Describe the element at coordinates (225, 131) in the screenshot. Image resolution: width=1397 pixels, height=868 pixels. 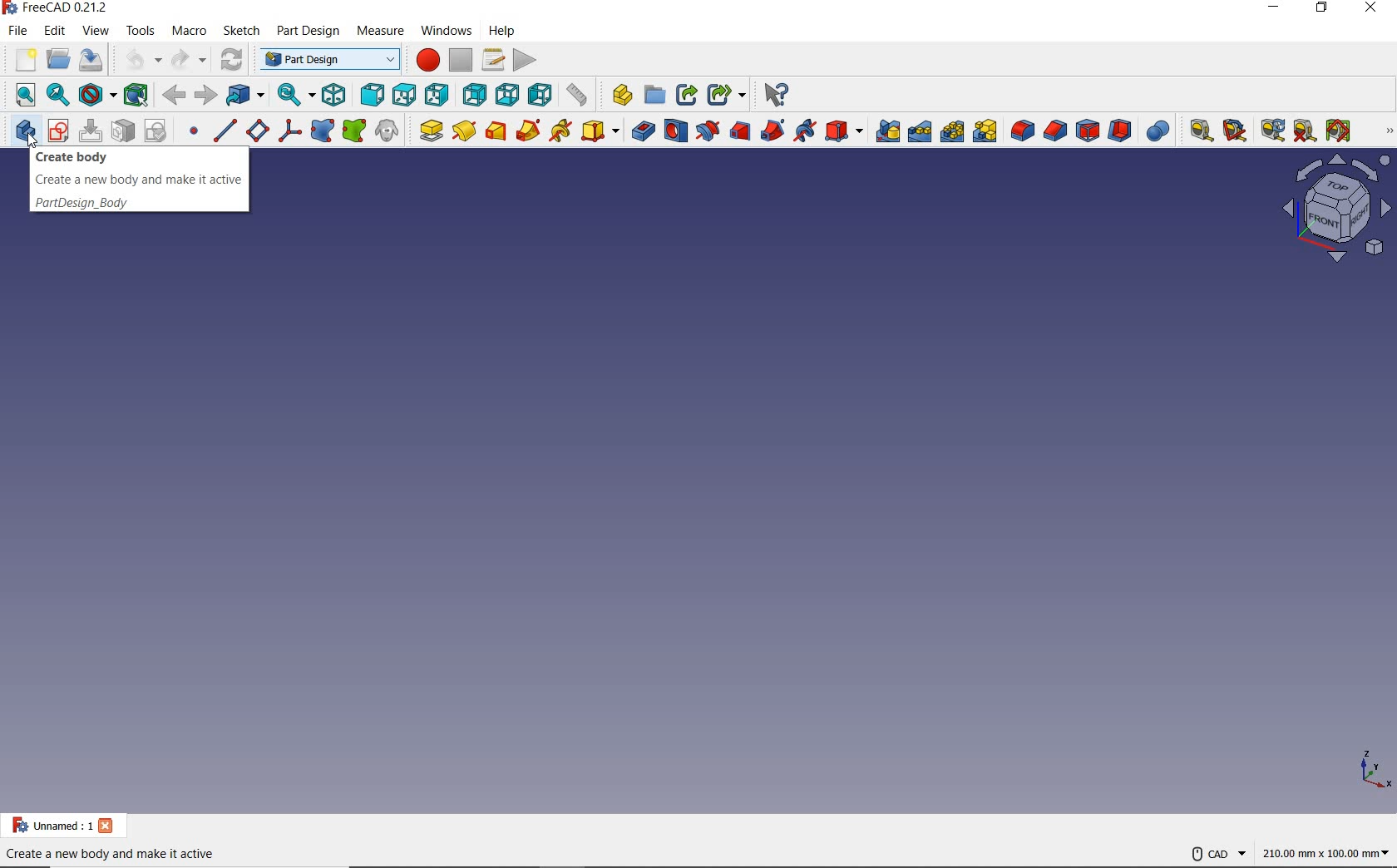
I see `CREATE A DATUM LINE` at that location.